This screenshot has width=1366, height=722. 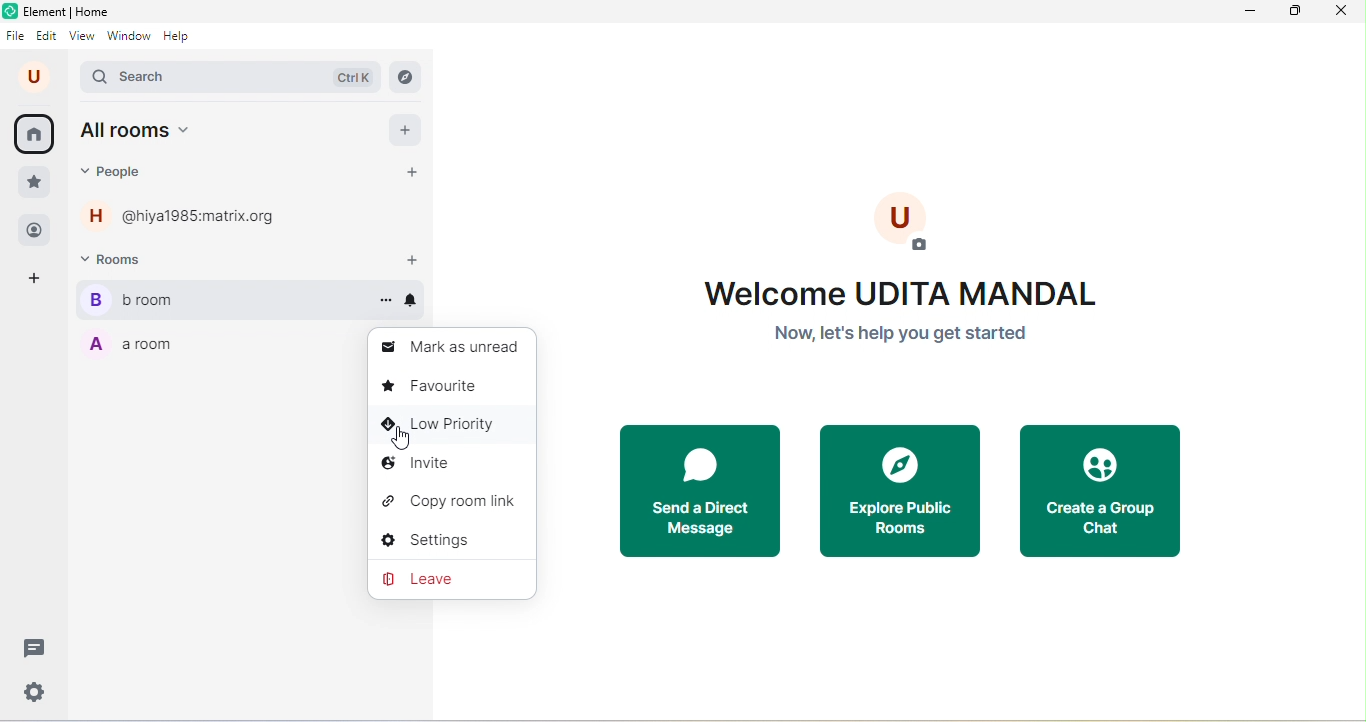 I want to click on add room, so click(x=415, y=260).